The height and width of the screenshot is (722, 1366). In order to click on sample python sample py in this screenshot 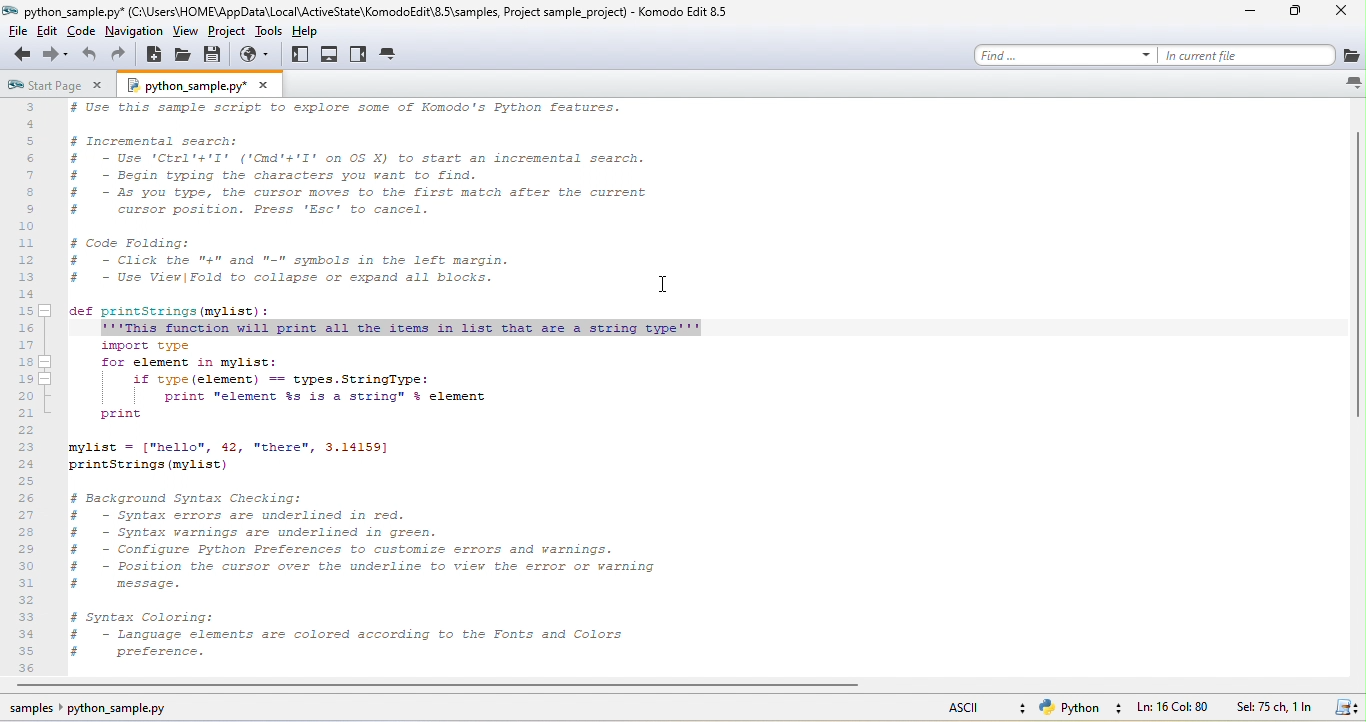, I will do `click(97, 709)`.